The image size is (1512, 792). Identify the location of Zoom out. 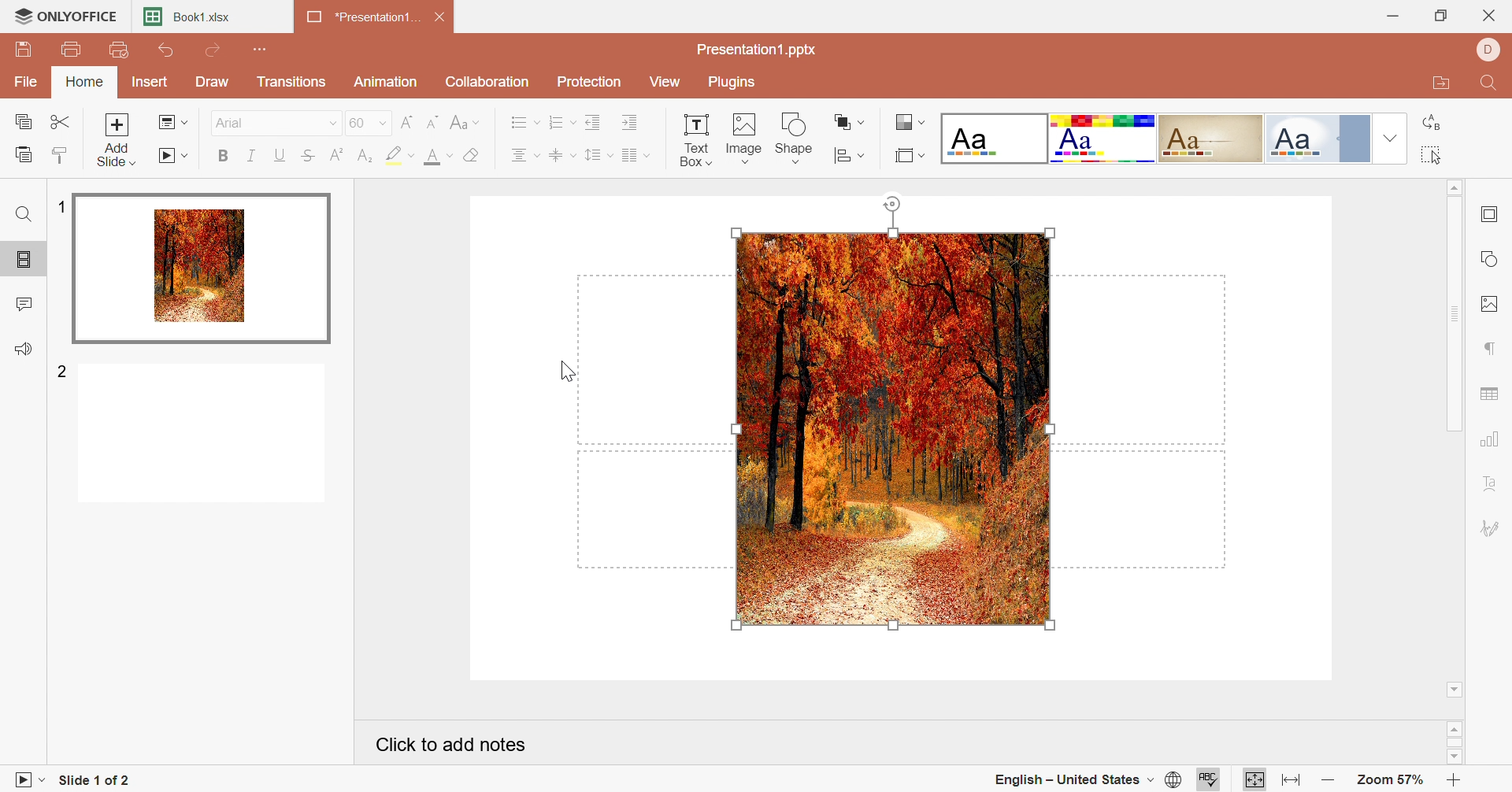
(1325, 782).